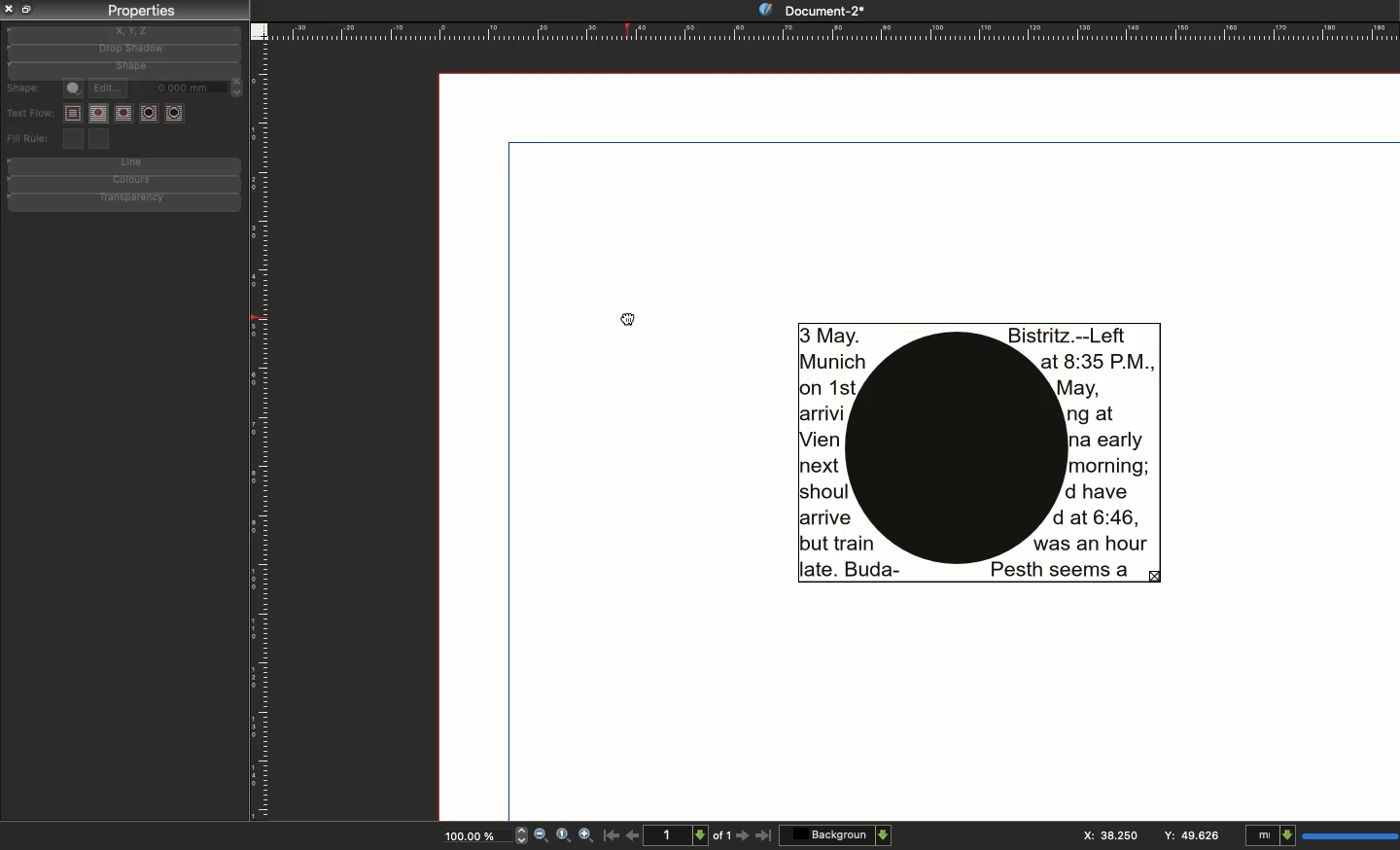  Describe the element at coordinates (1106, 834) in the screenshot. I see `x: 106.626` at that location.